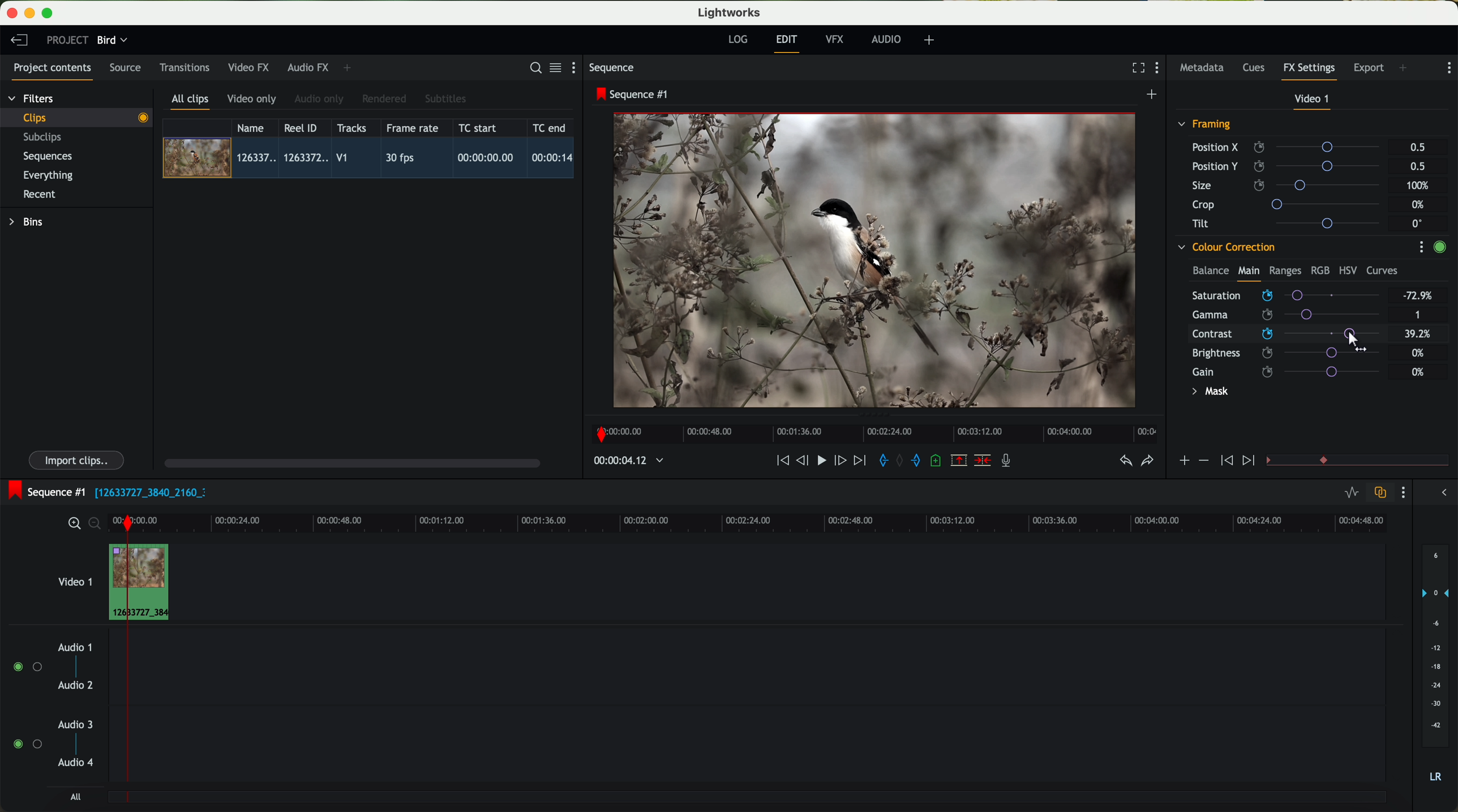  Describe the element at coordinates (1183, 462) in the screenshot. I see `icon` at that location.